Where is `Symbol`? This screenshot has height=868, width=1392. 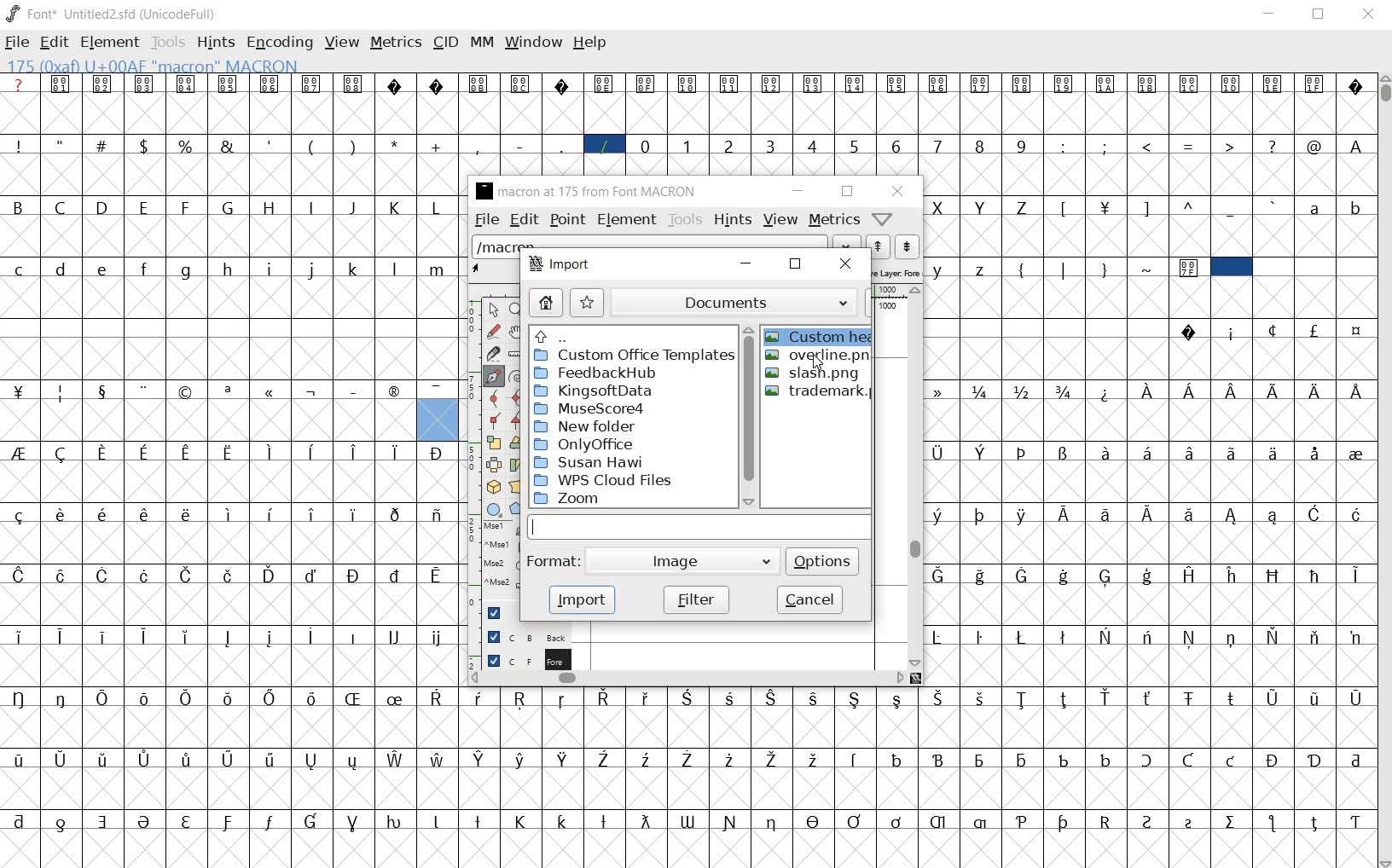 Symbol is located at coordinates (481, 697).